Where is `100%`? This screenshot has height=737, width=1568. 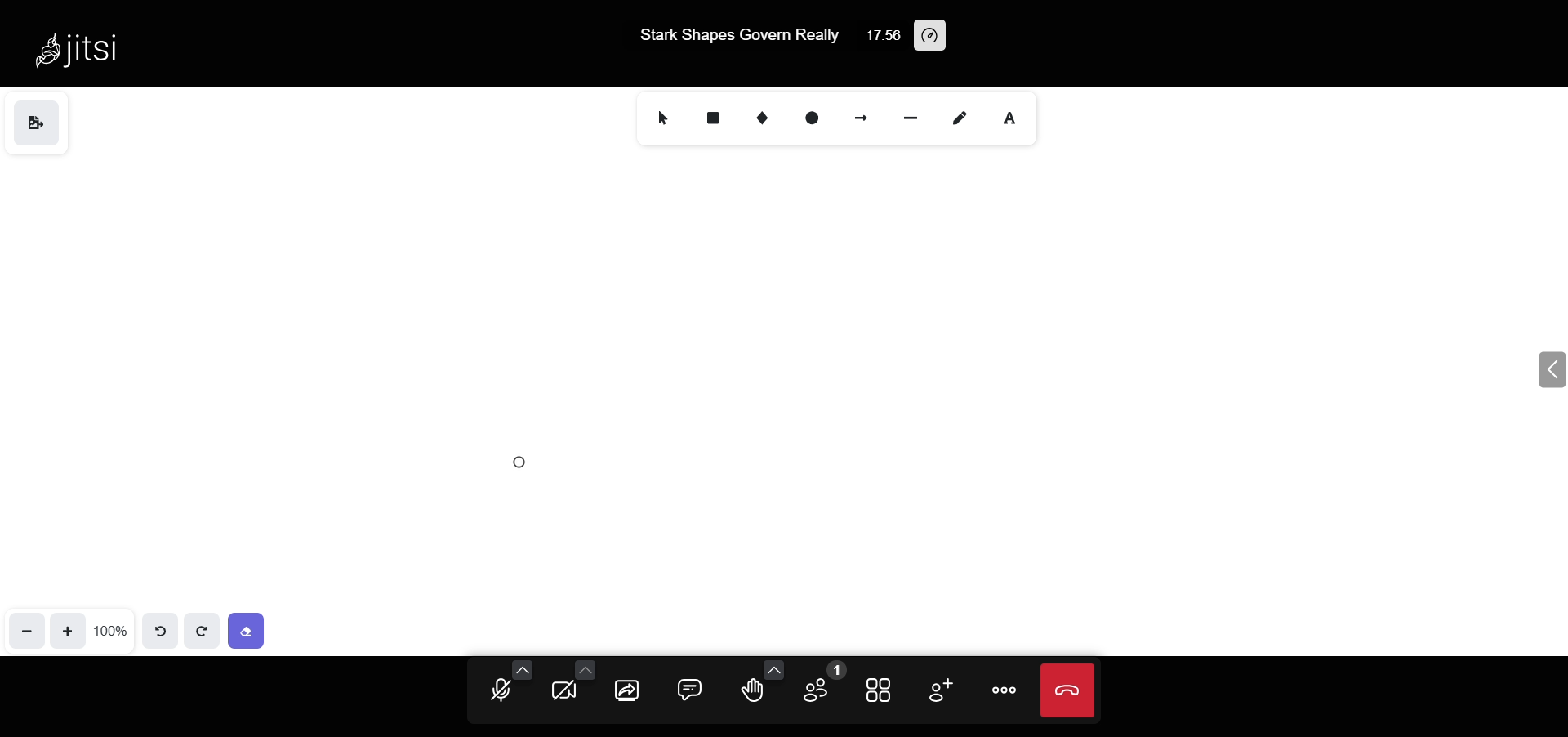 100% is located at coordinates (111, 629).